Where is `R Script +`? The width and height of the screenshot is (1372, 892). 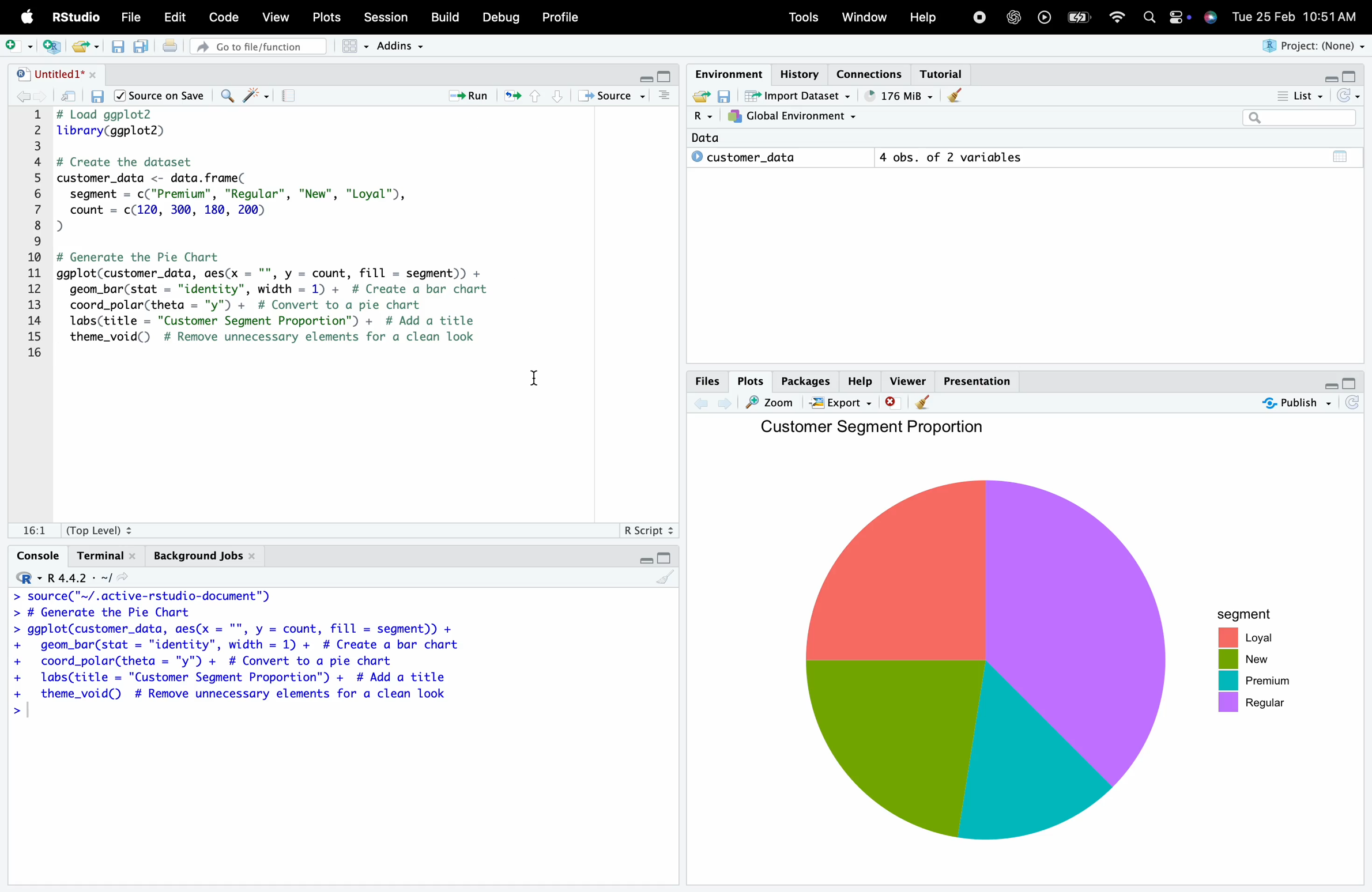 R Script + is located at coordinates (647, 529).